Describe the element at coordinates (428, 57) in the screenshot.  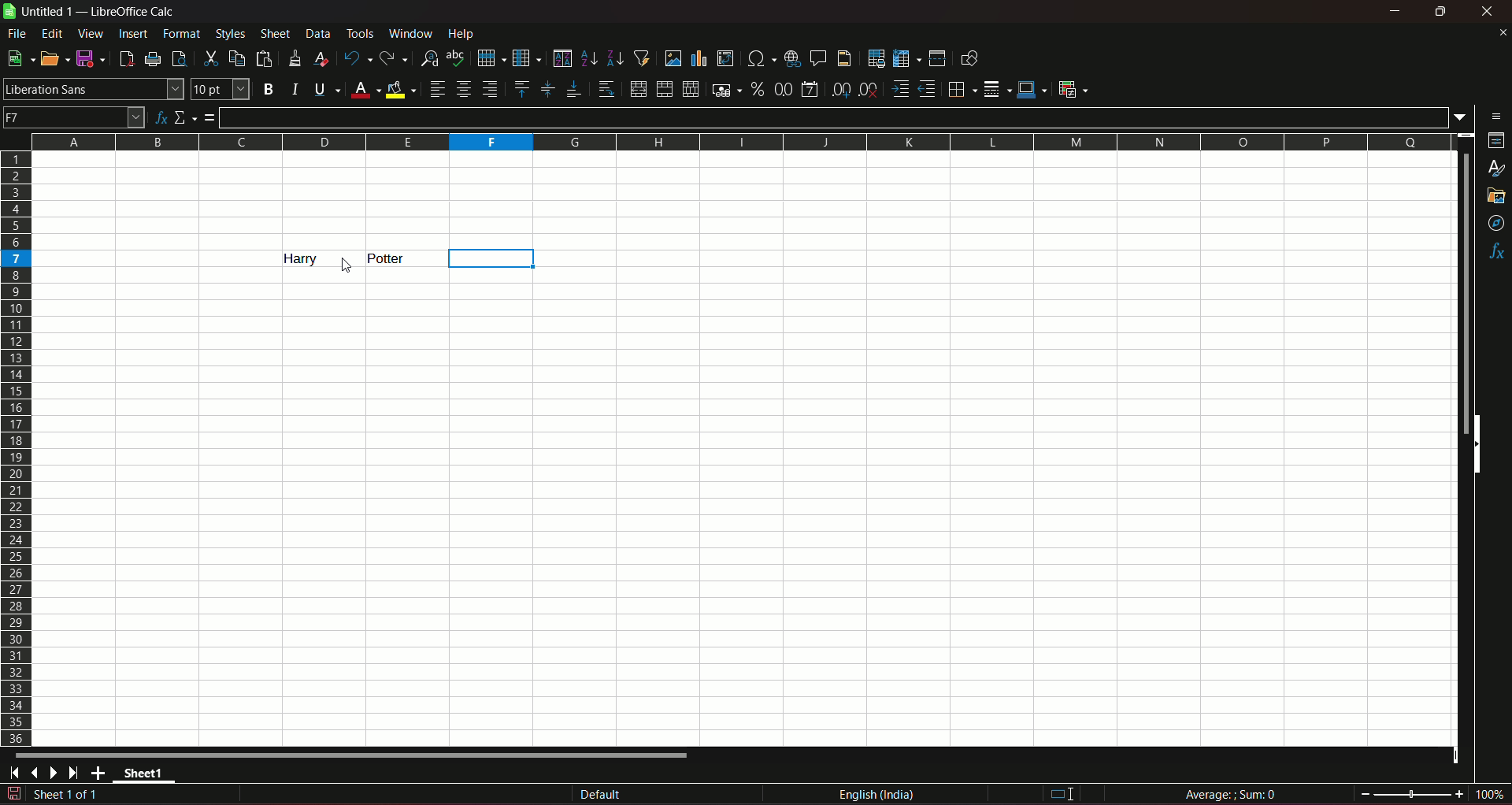
I see `find and replace` at that location.